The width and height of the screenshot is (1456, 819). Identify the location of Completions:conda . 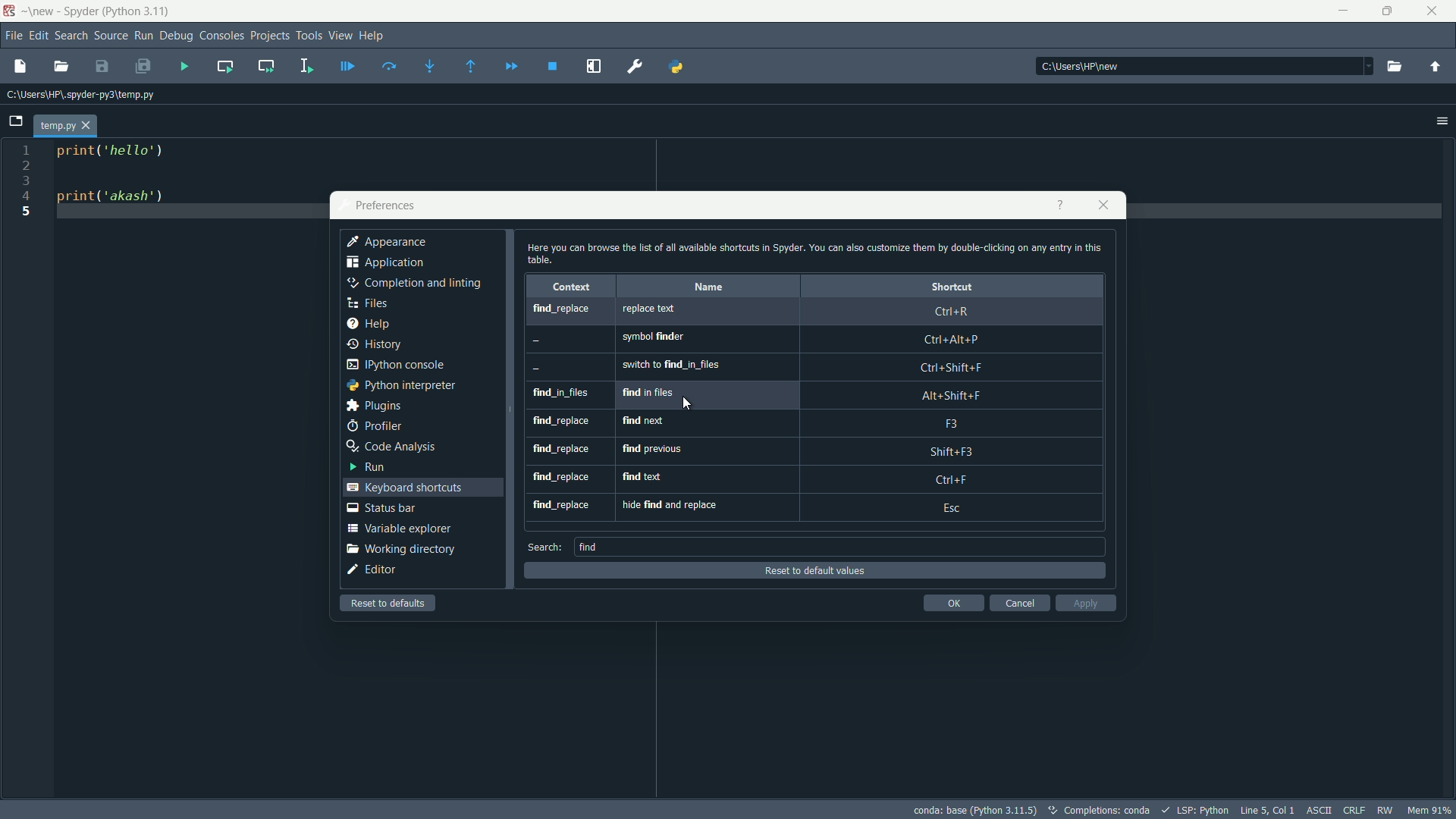
(1101, 811).